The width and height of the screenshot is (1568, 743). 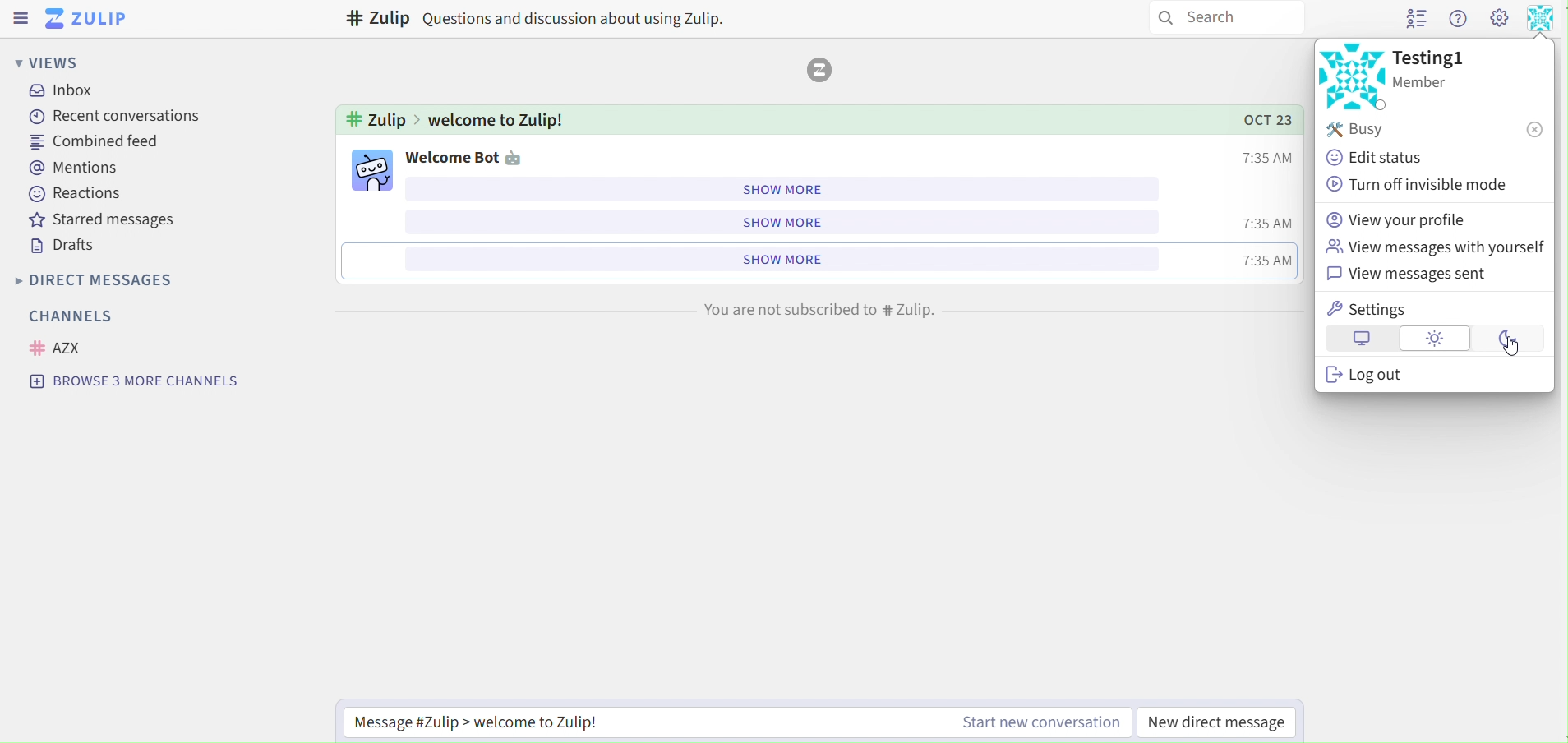 I want to click on #Zulip Question and discussion about using Zulip, so click(x=537, y=19).